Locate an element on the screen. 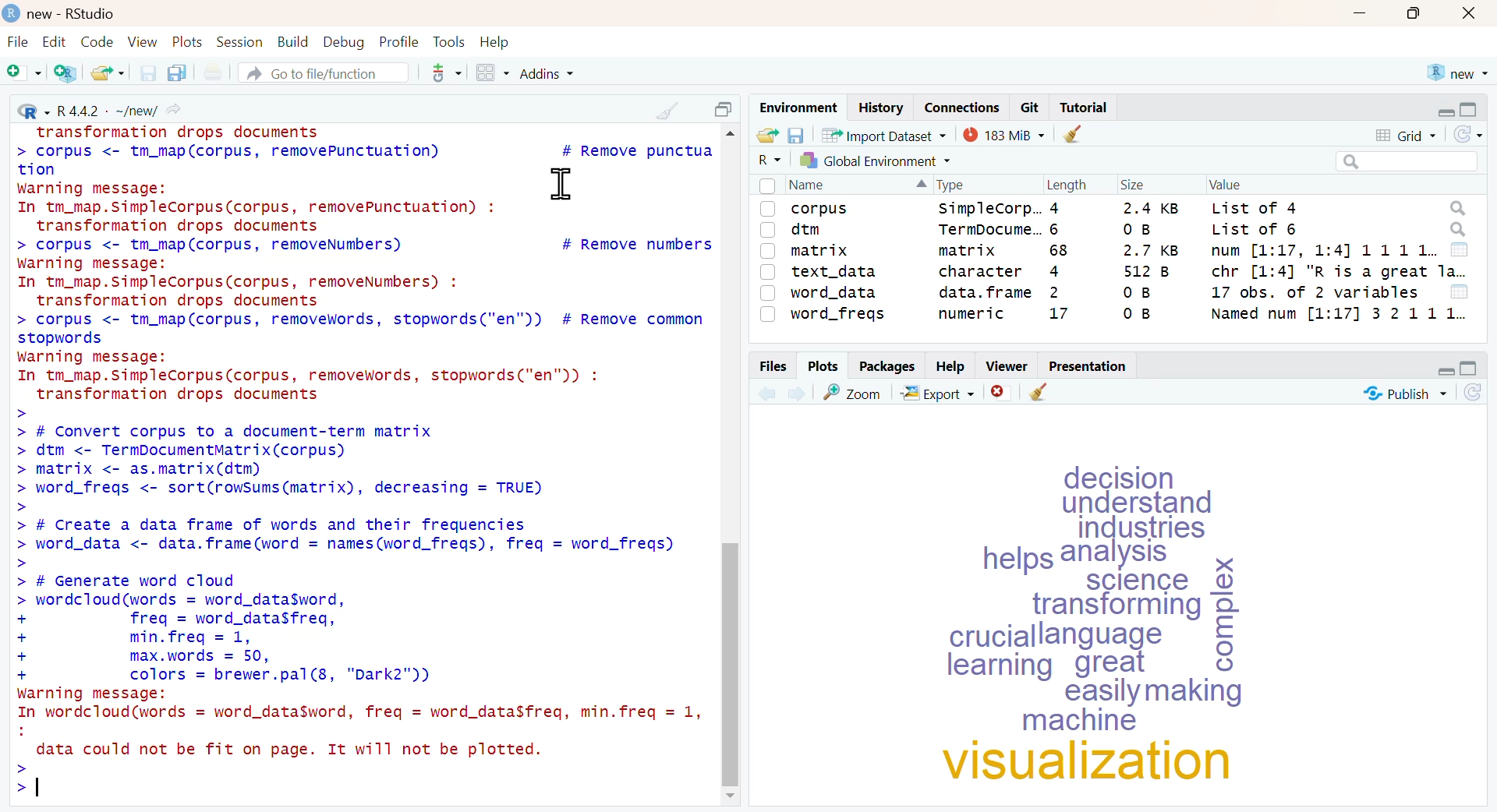 The width and height of the screenshot is (1497, 812). Plots is located at coordinates (189, 42).